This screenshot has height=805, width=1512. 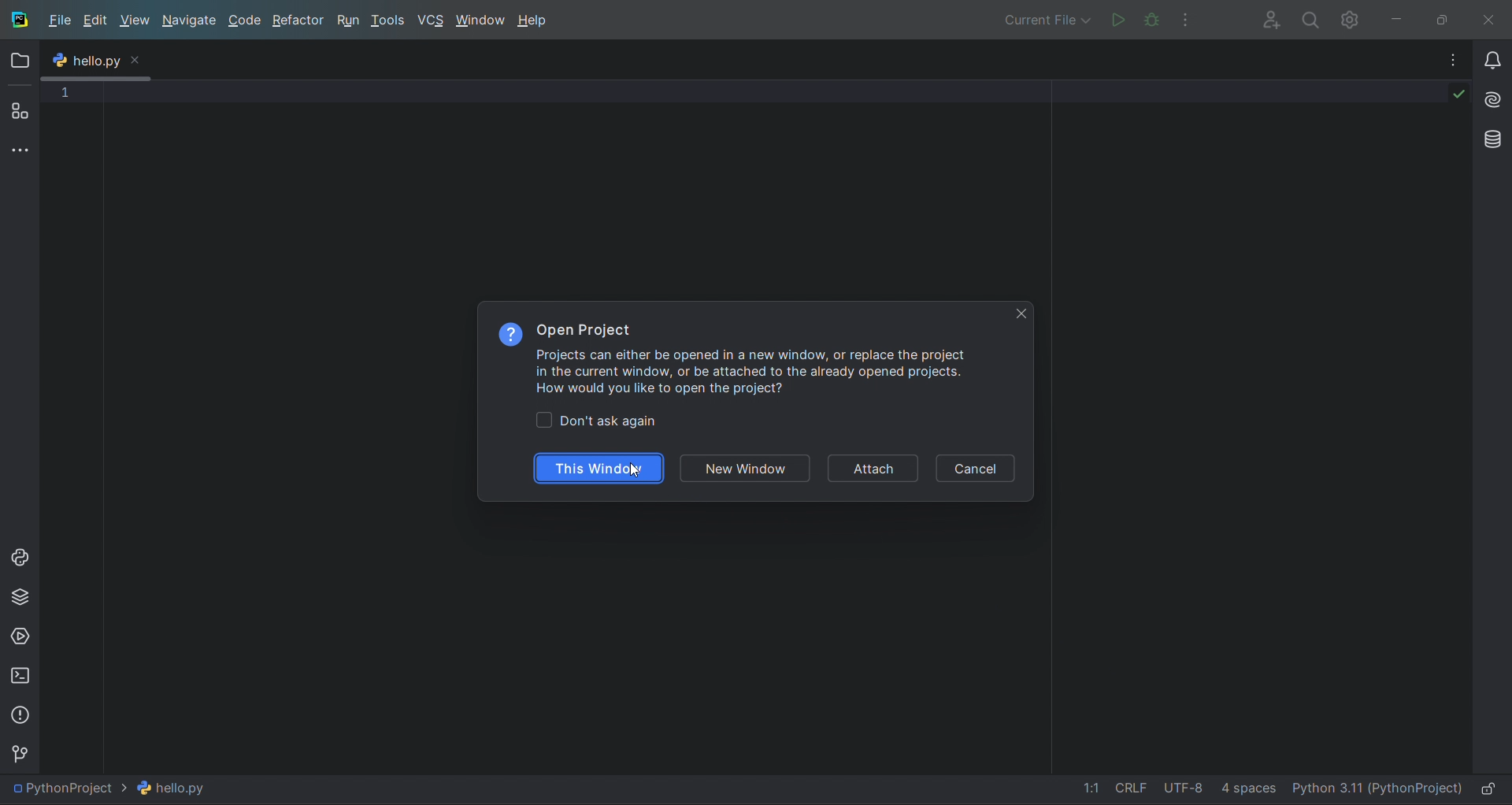 What do you see at coordinates (636, 471) in the screenshot?
I see `cursor` at bounding box center [636, 471].